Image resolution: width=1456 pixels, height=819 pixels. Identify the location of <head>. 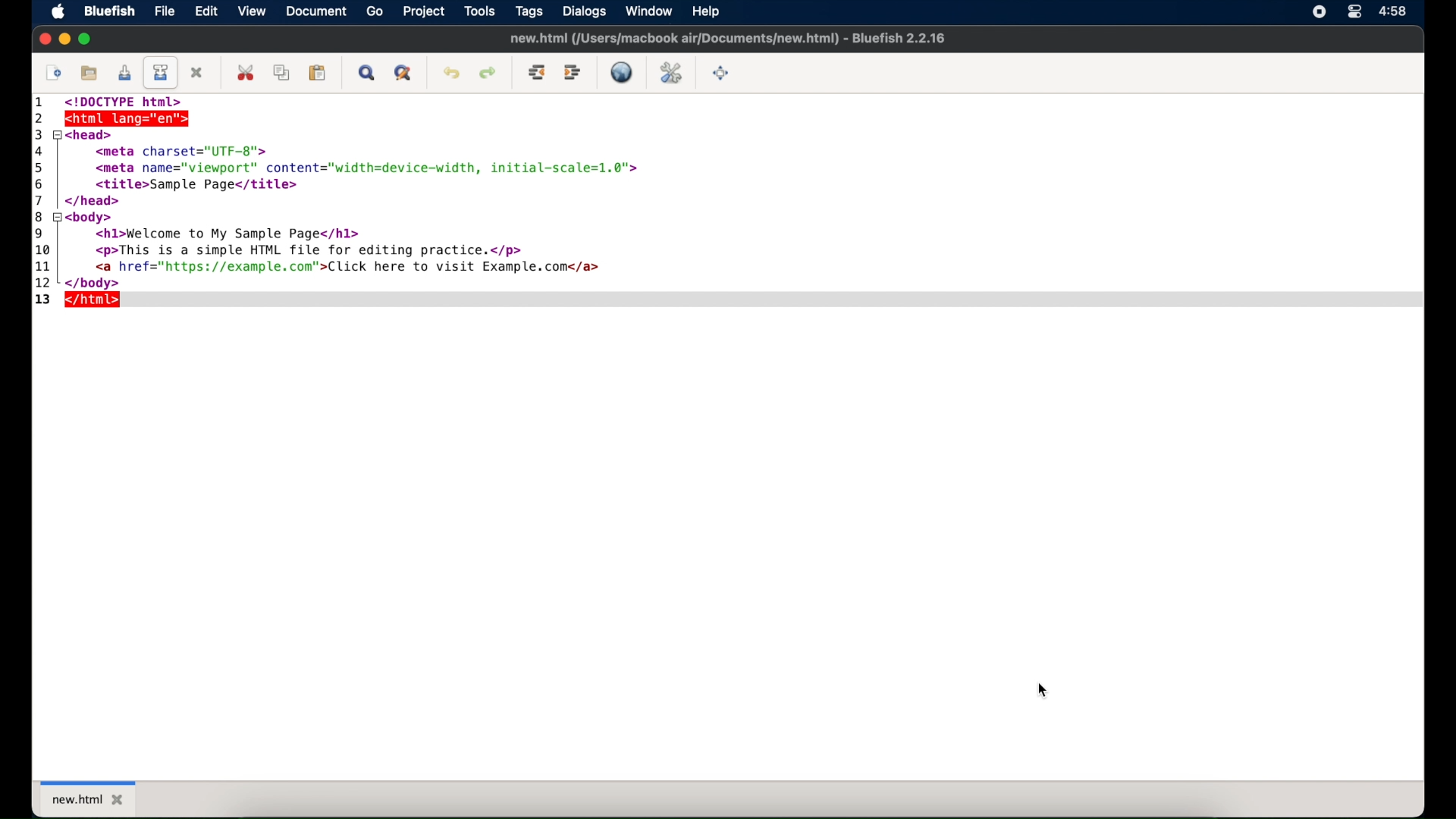
(91, 134).